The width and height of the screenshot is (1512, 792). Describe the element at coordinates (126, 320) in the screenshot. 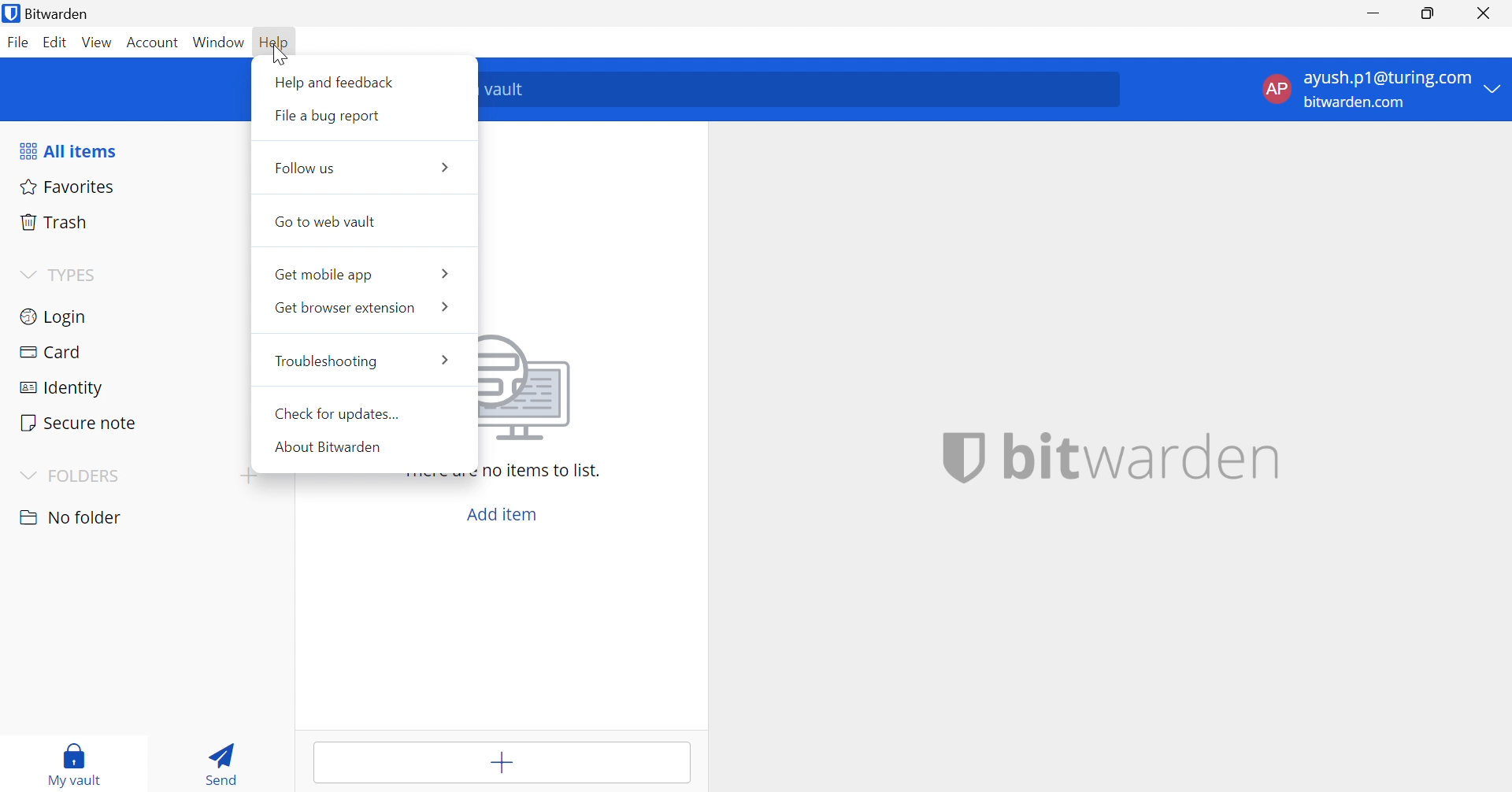

I see `Login` at that location.